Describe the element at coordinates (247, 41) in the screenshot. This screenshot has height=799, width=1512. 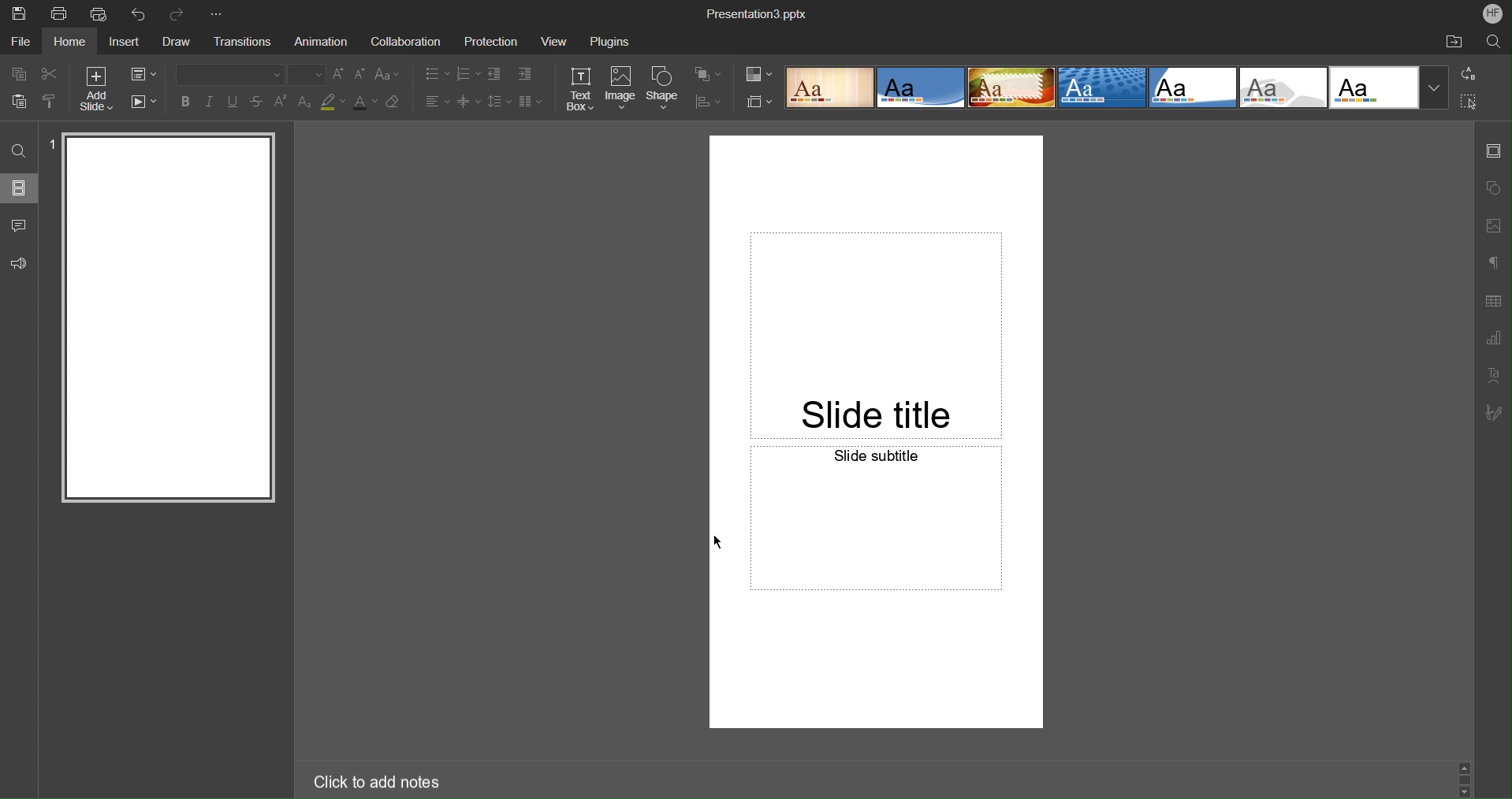
I see `Transitions` at that location.